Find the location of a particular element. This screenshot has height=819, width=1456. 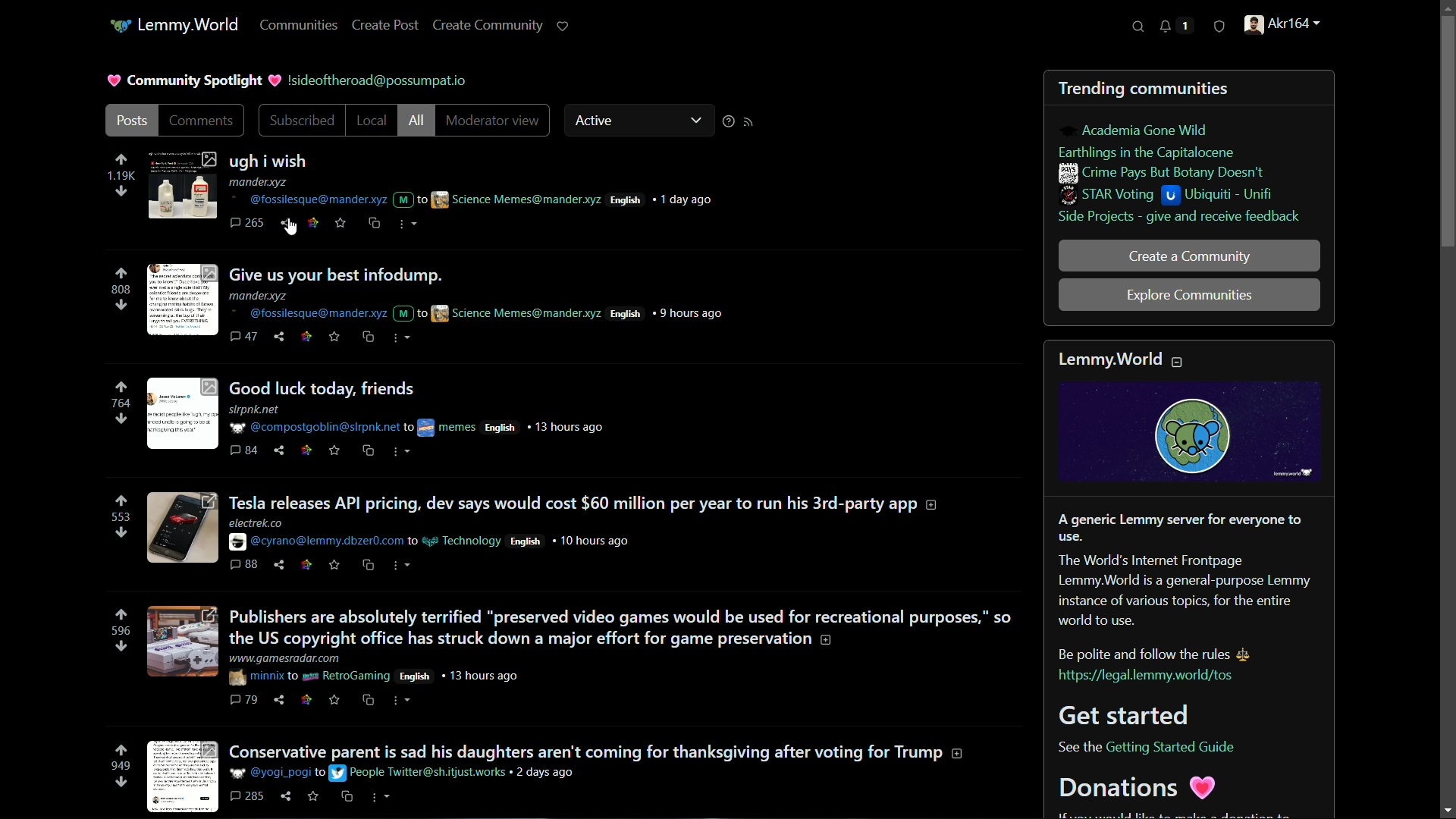

thumbnail is located at coordinates (180, 415).